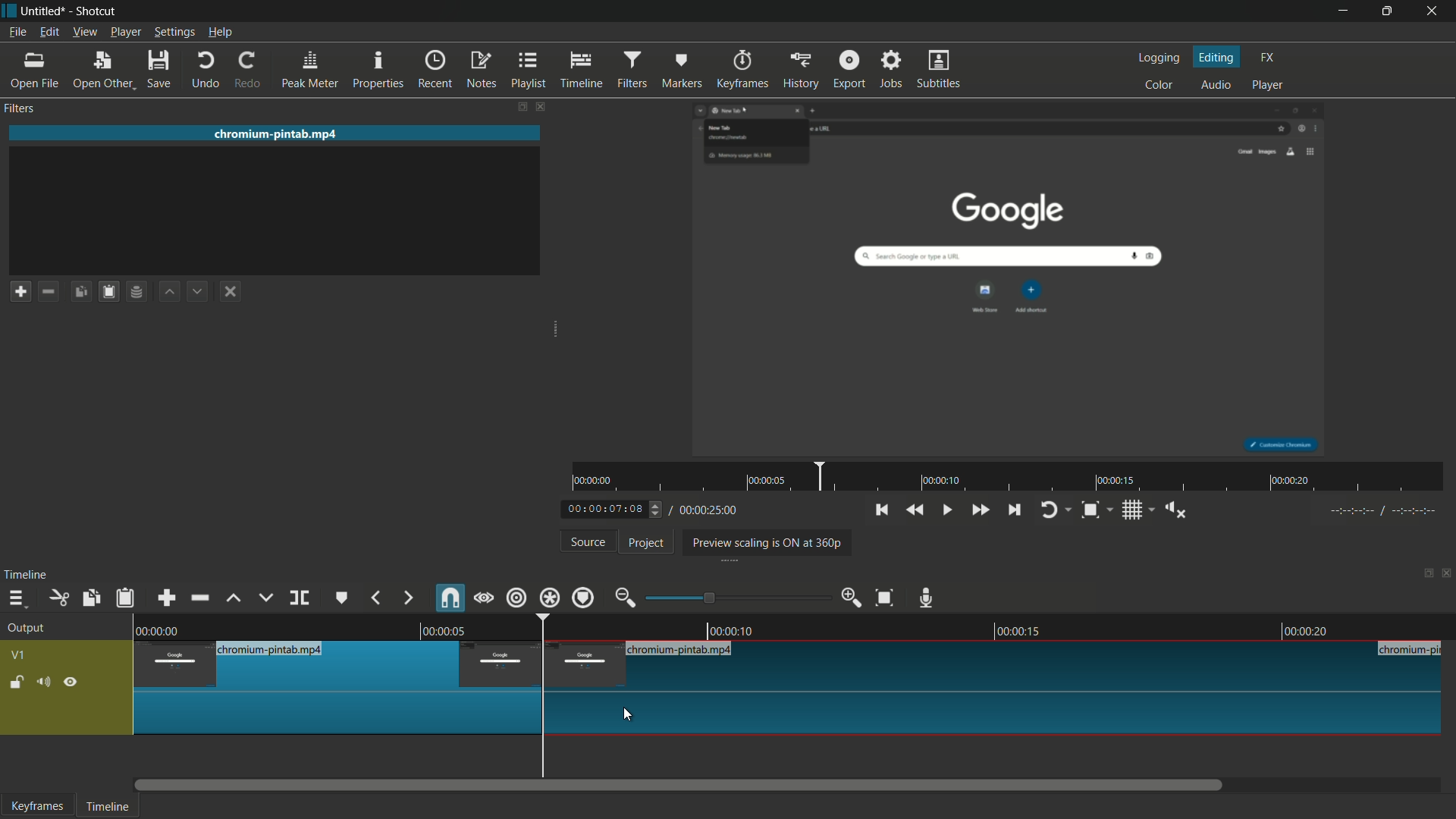 The height and width of the screenshot is (819, 1456). Describe the element at coordinates (276, 133) in the screenshot. I see `imported file name` at that location.